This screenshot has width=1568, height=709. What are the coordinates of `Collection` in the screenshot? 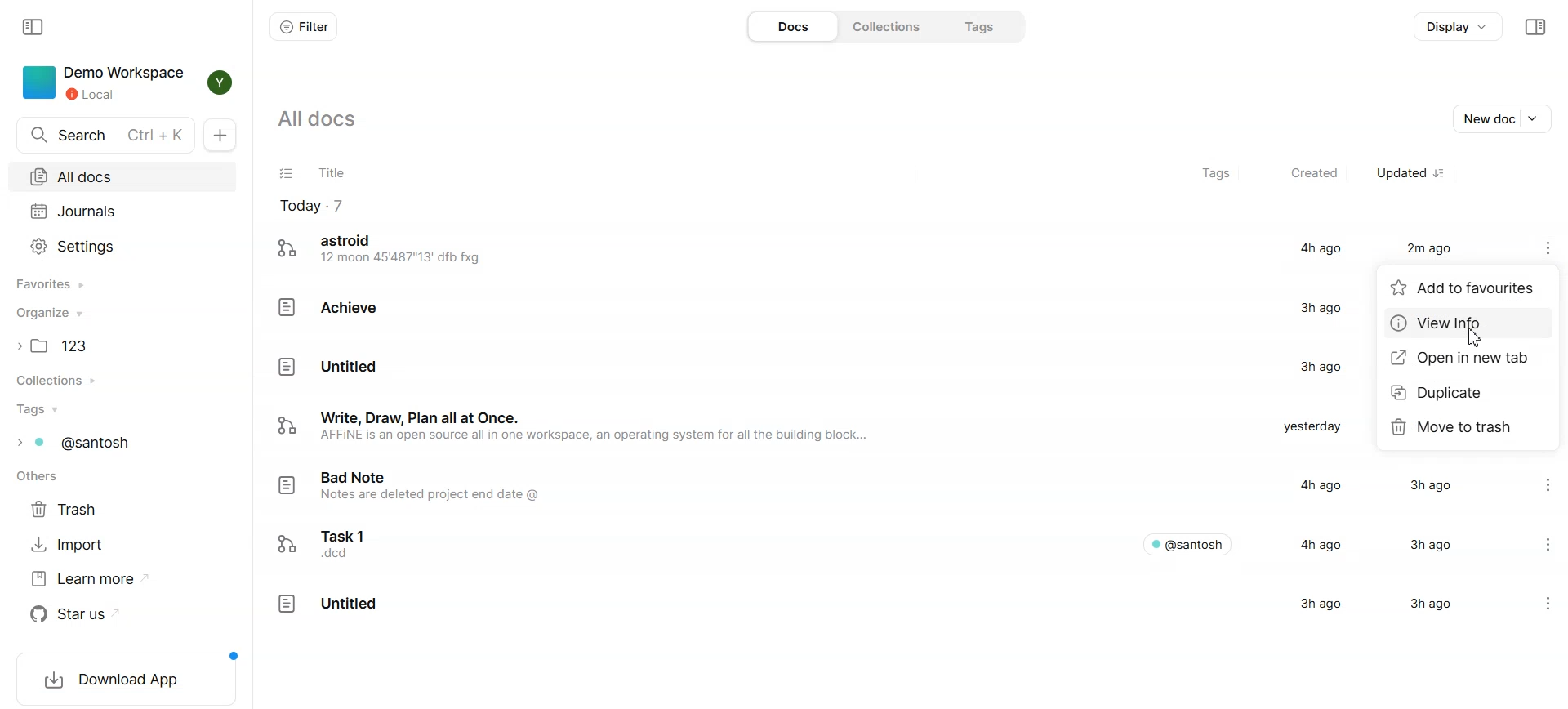 It's located at (122, 381).